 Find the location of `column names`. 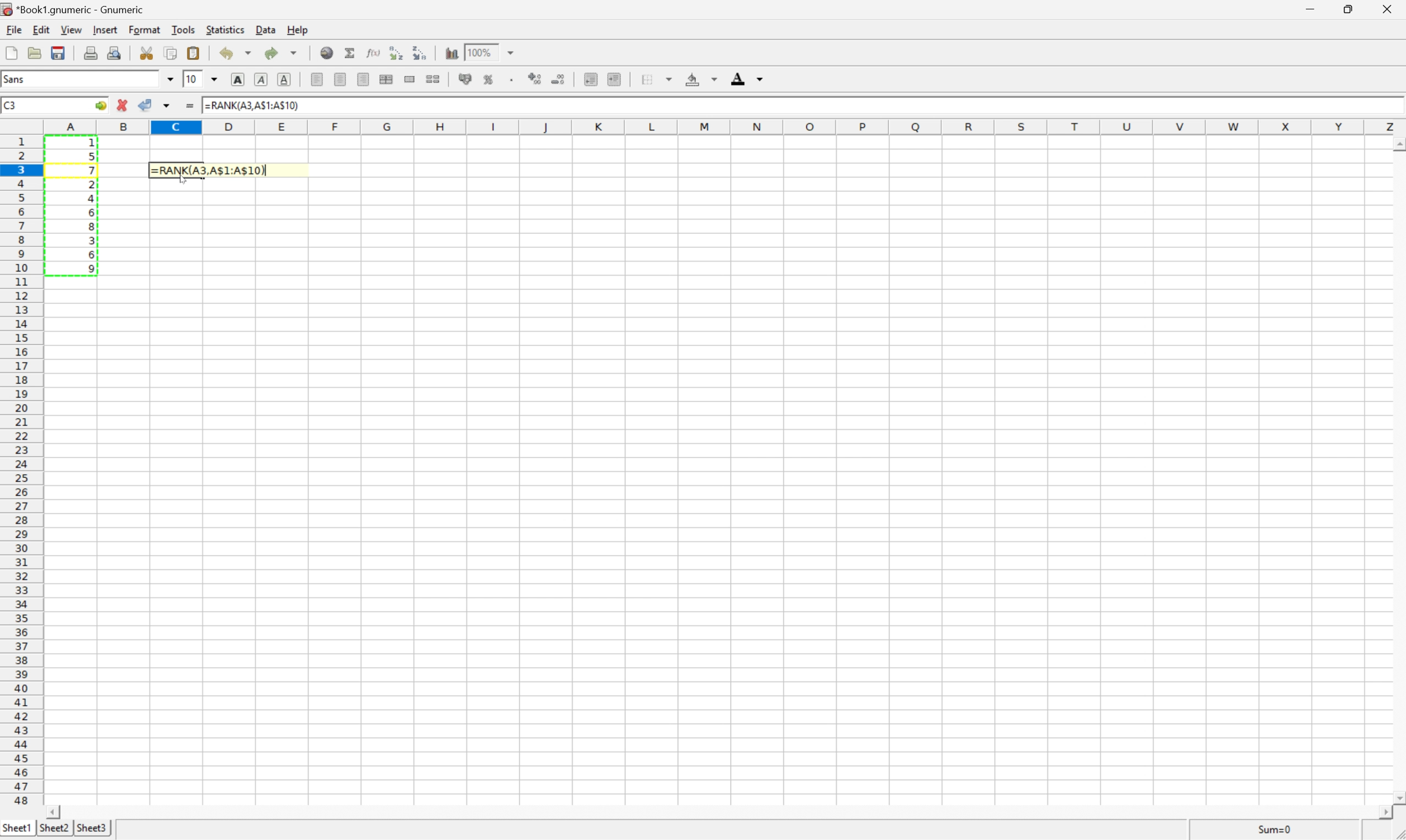

column names is located at coordinates (724, 126).